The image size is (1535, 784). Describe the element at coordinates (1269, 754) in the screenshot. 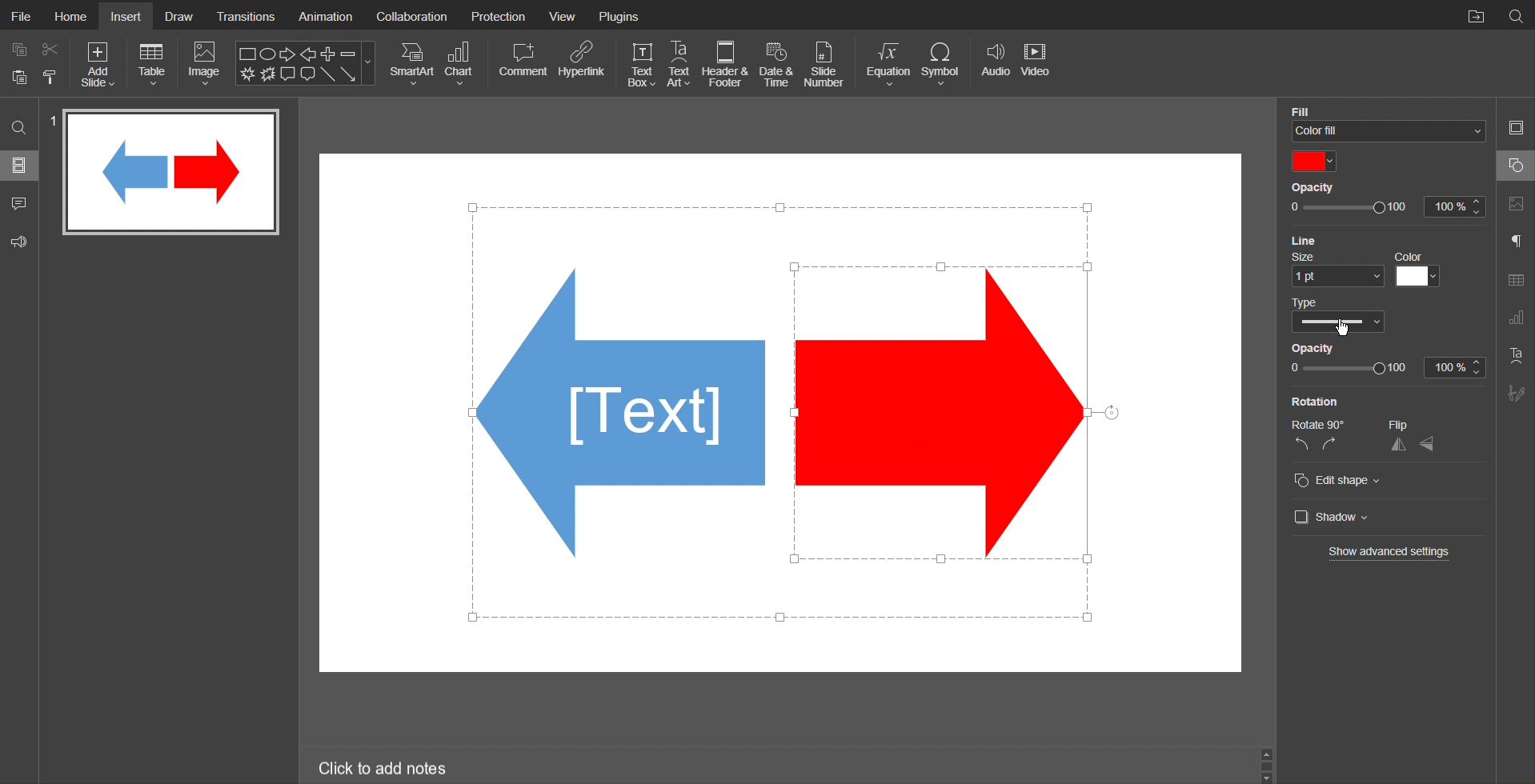

I see `up` at that location.